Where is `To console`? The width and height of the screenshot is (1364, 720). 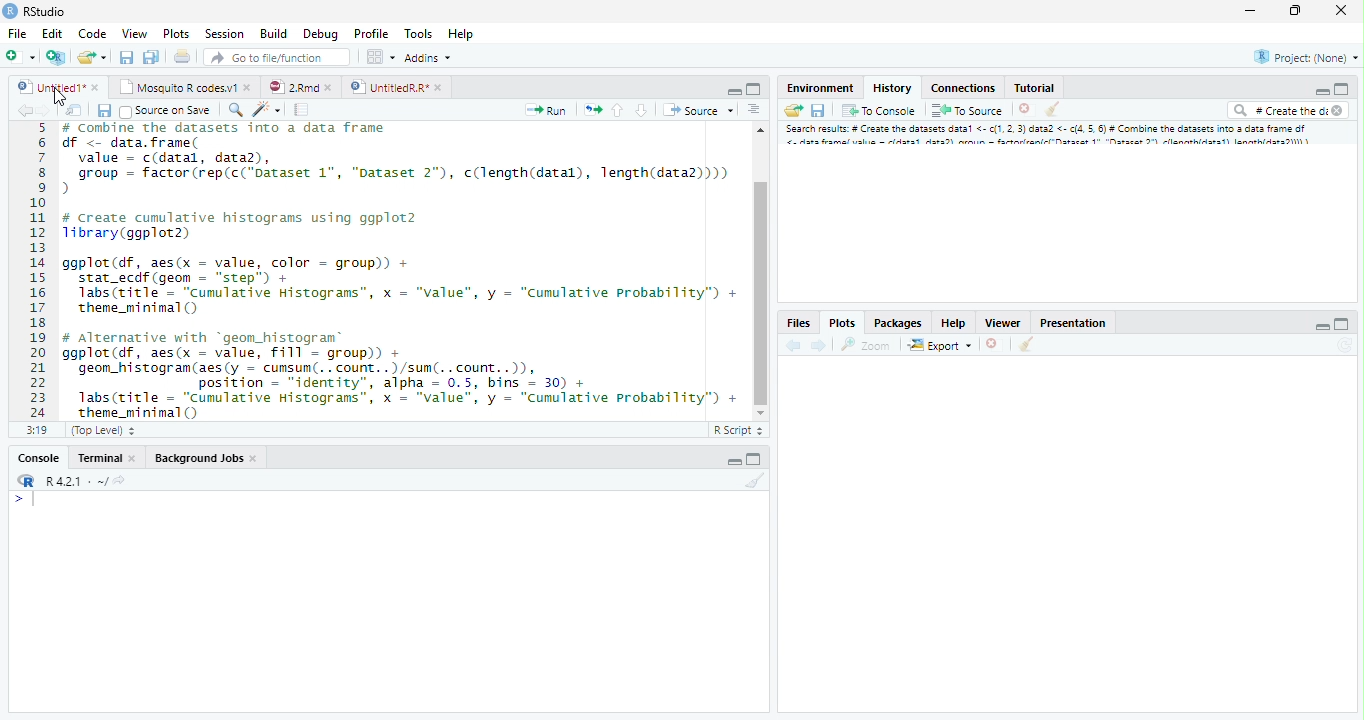 To console is located at coordinates (881, 111).